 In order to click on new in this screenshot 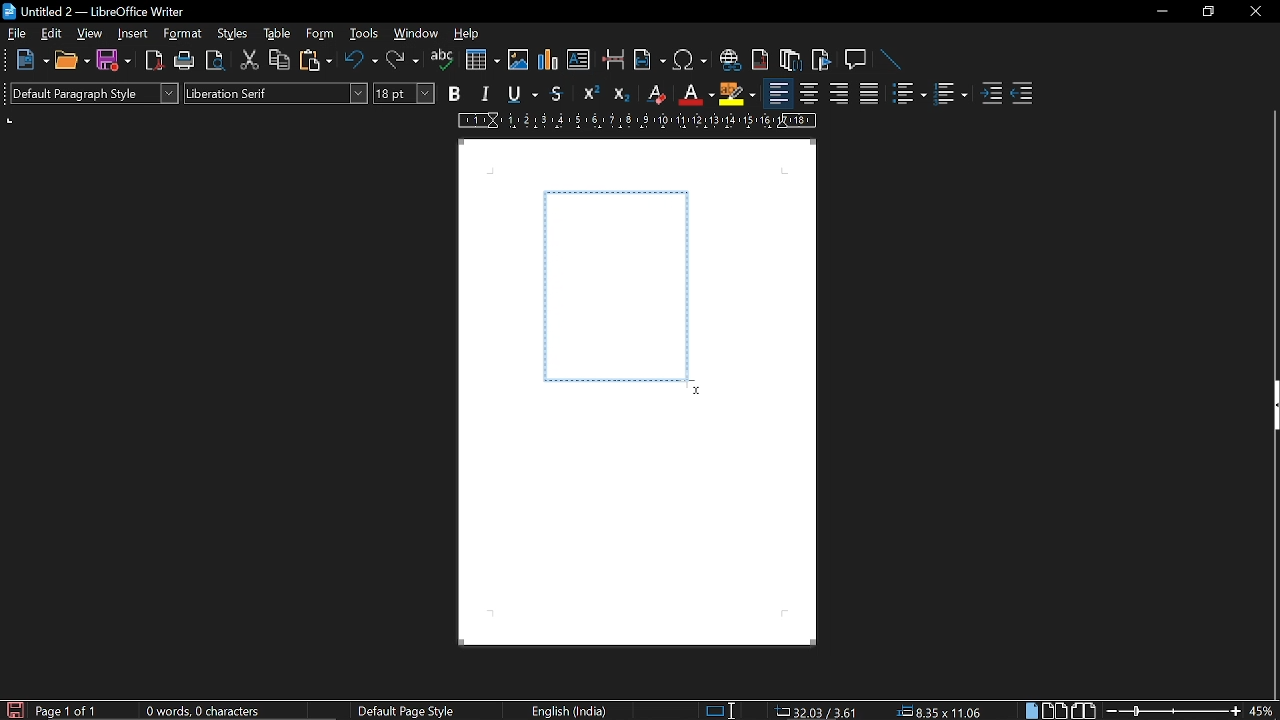, I will do `click(31, 59)`.